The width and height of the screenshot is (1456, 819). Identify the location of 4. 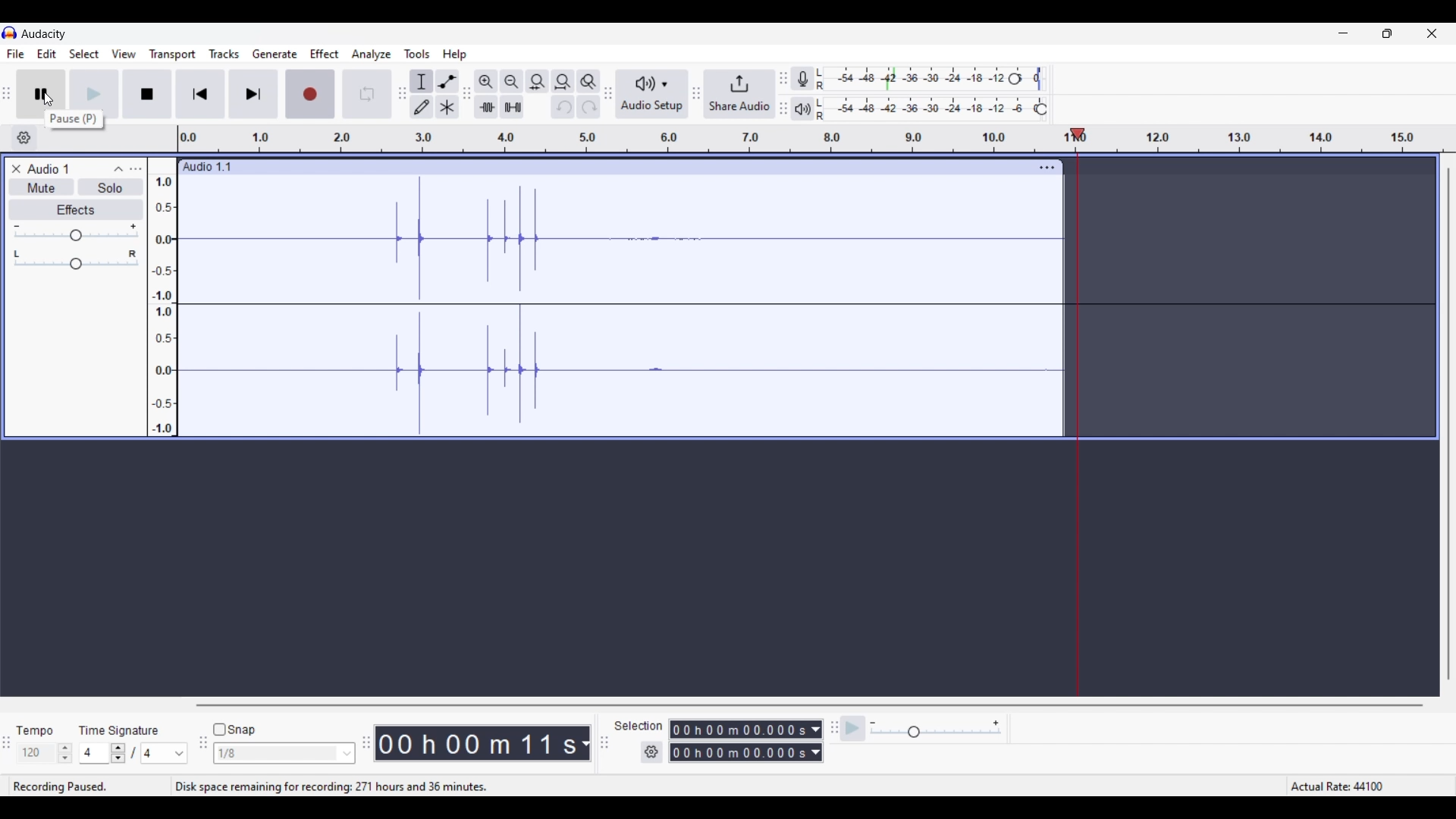
(96, 753).